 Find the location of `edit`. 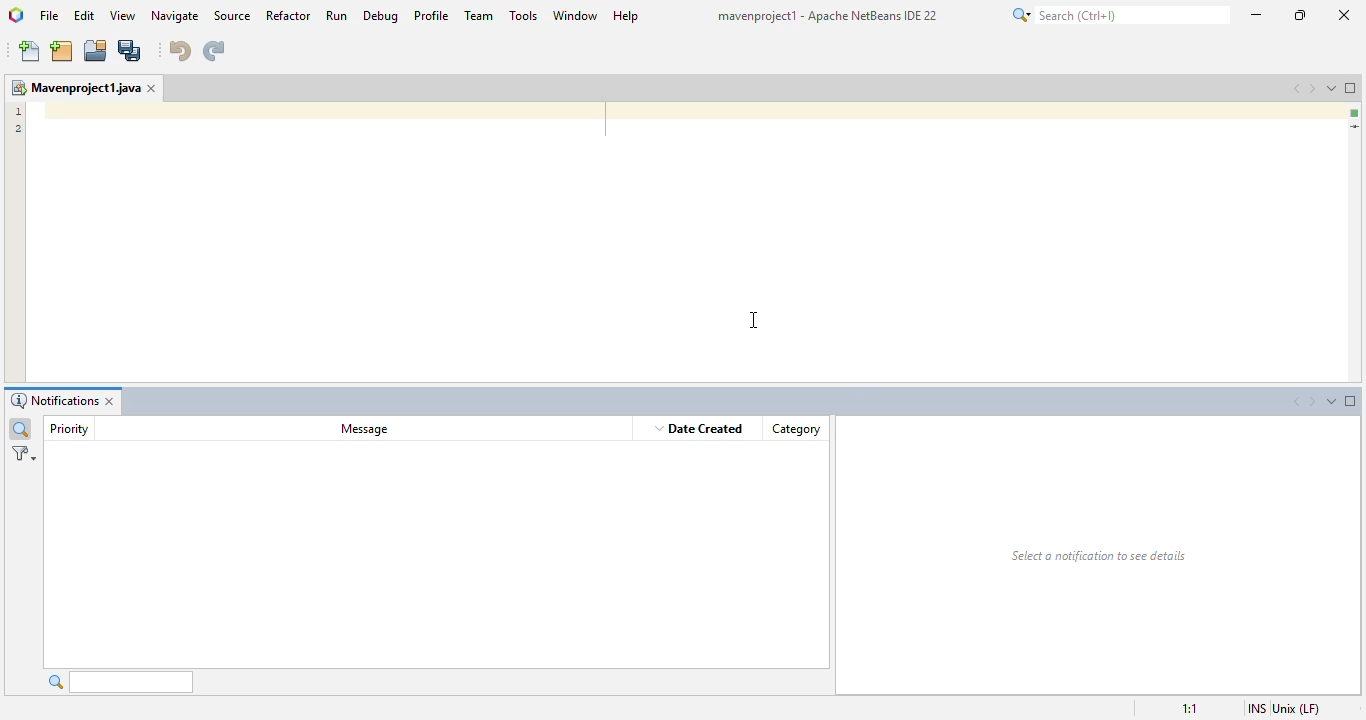

edit is located at coordinates (85, 14).